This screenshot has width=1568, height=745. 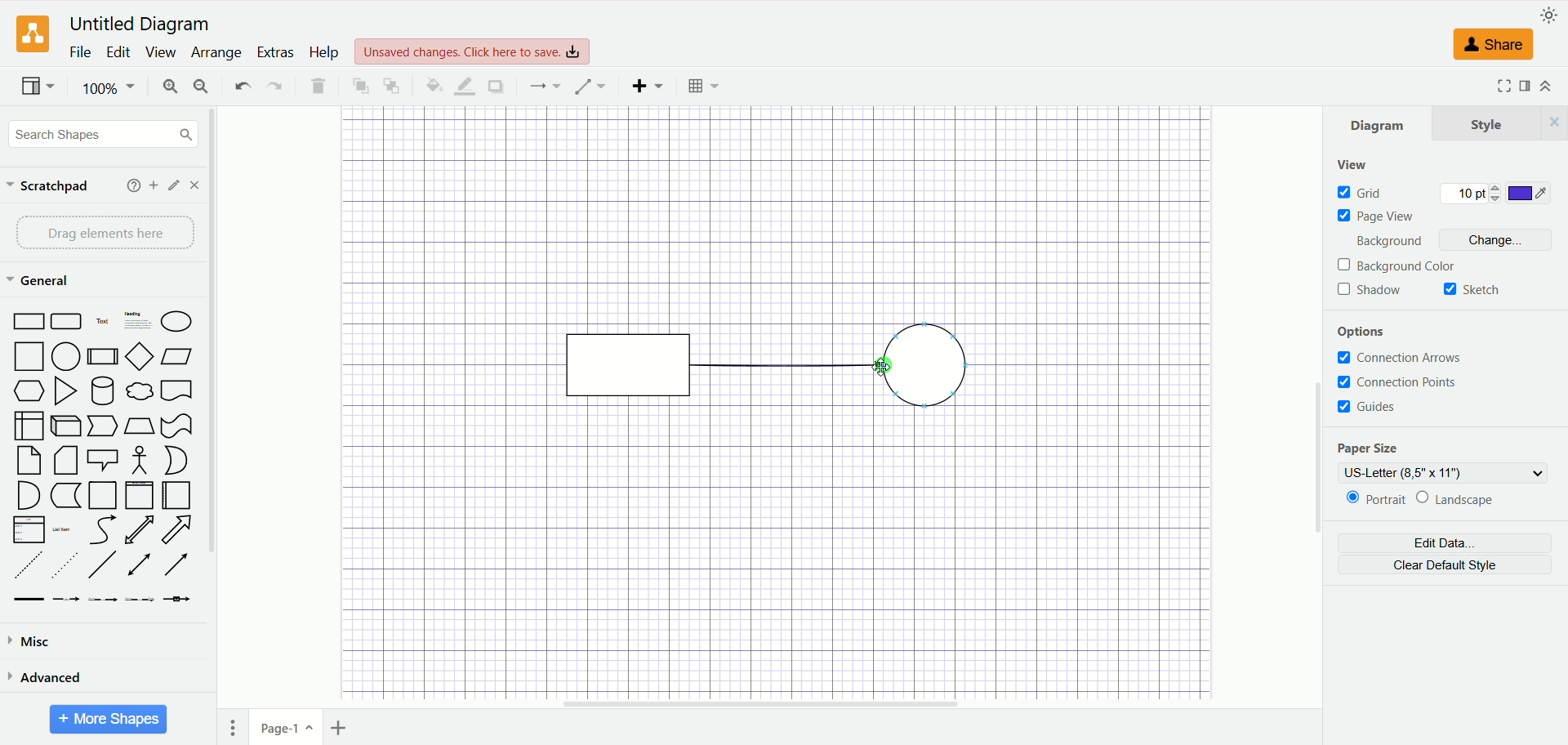 I want to click on Arrow, so click(x=182, y=530).